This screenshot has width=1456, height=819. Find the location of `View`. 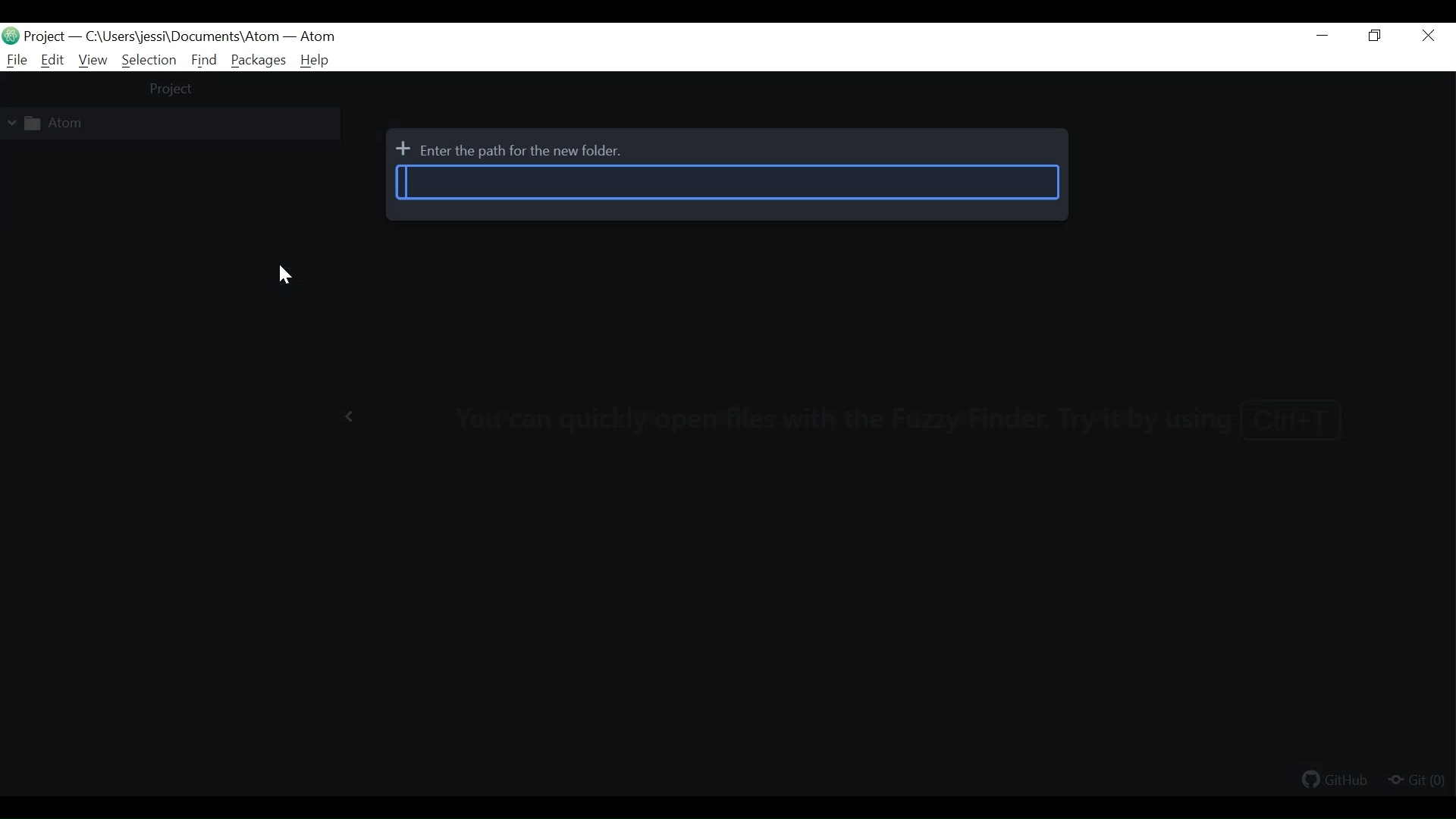

View is located at coordinates (92, 61).